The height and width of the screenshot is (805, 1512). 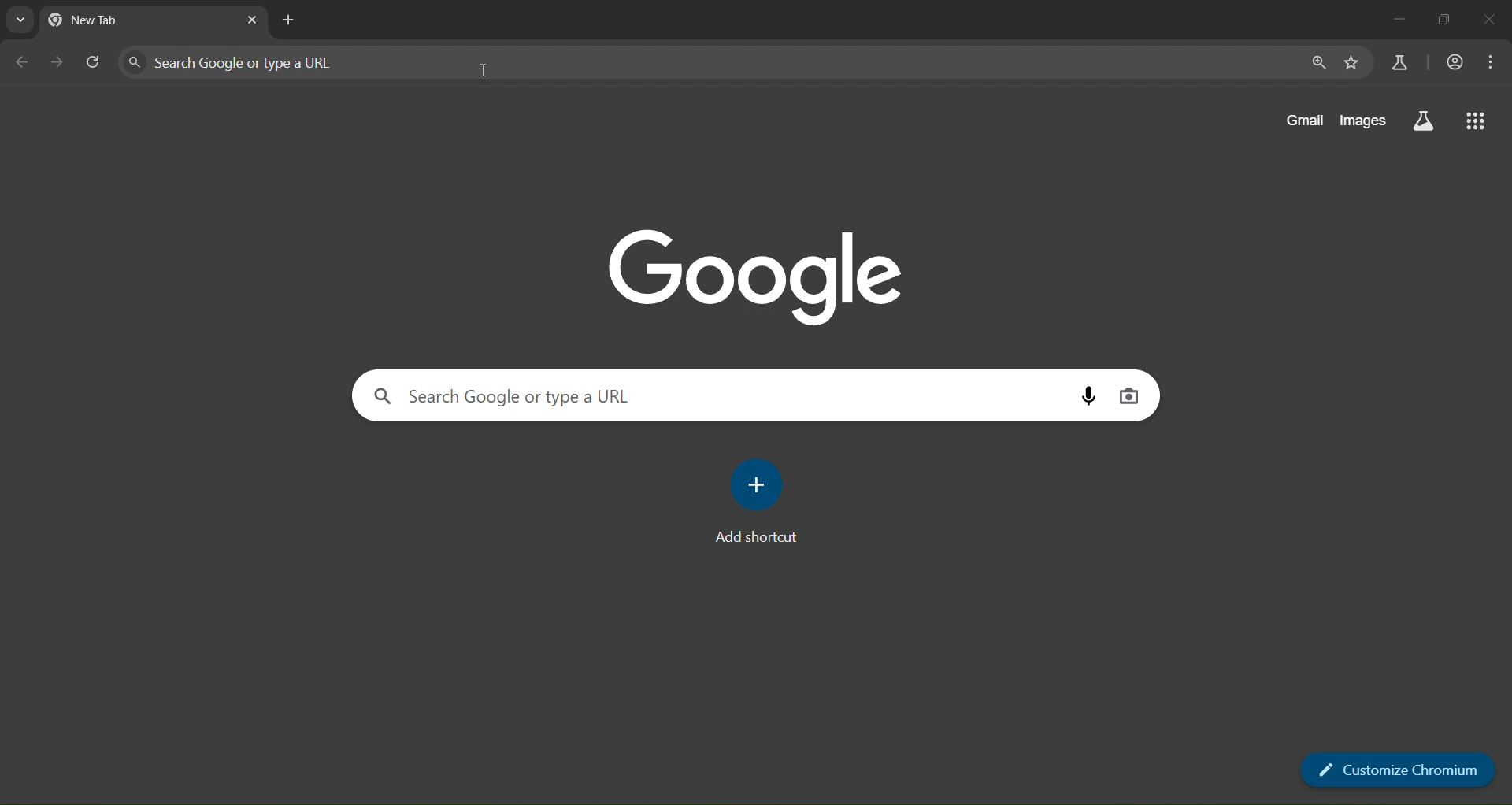 What do you see at coordinates (15, 21) in the screenshot?
I see `search page` at bounding box center [15, 21].